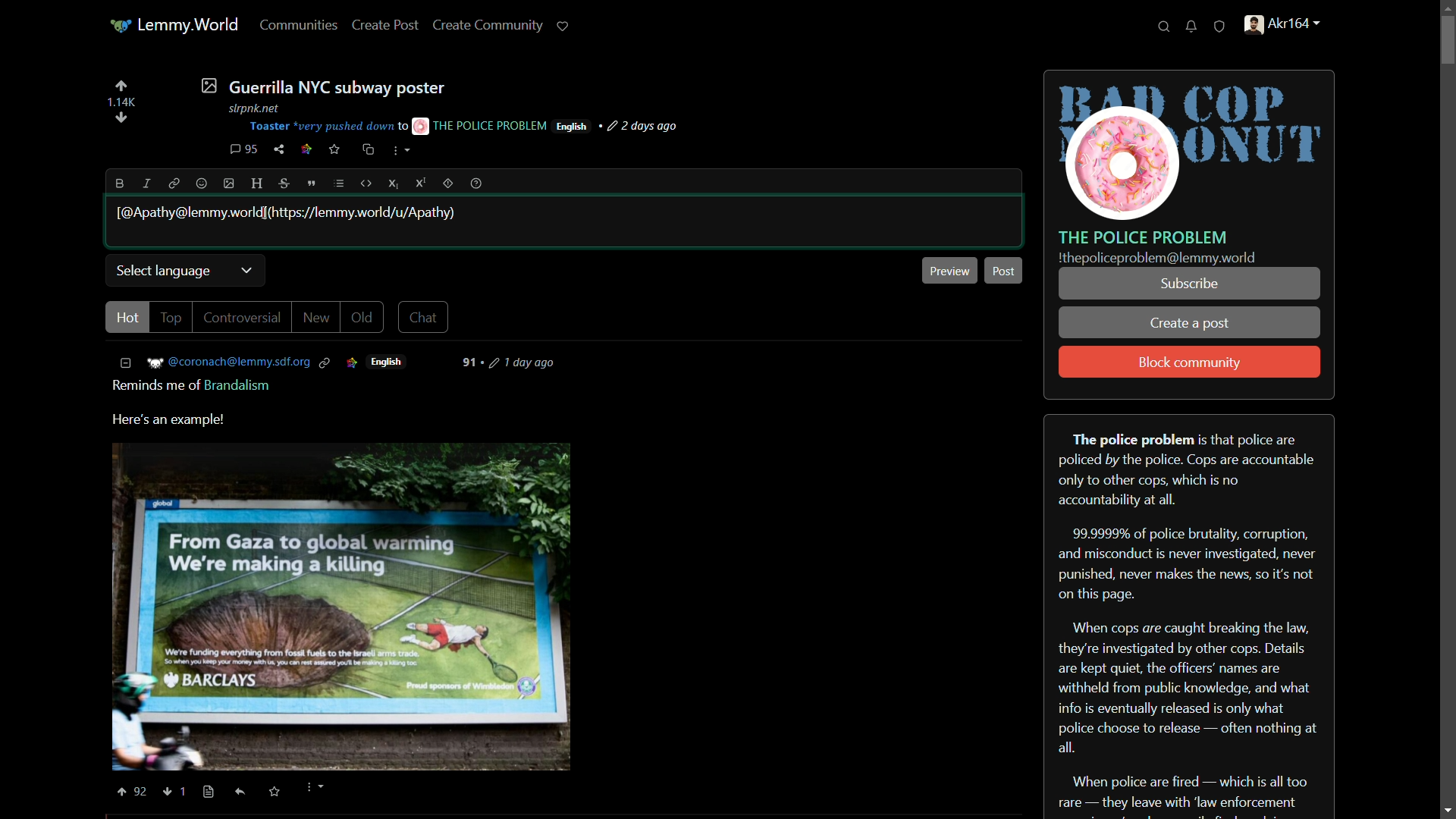 The width and height of the screenshot is (1456, 819). I want to click on quote, so click(312, 184).